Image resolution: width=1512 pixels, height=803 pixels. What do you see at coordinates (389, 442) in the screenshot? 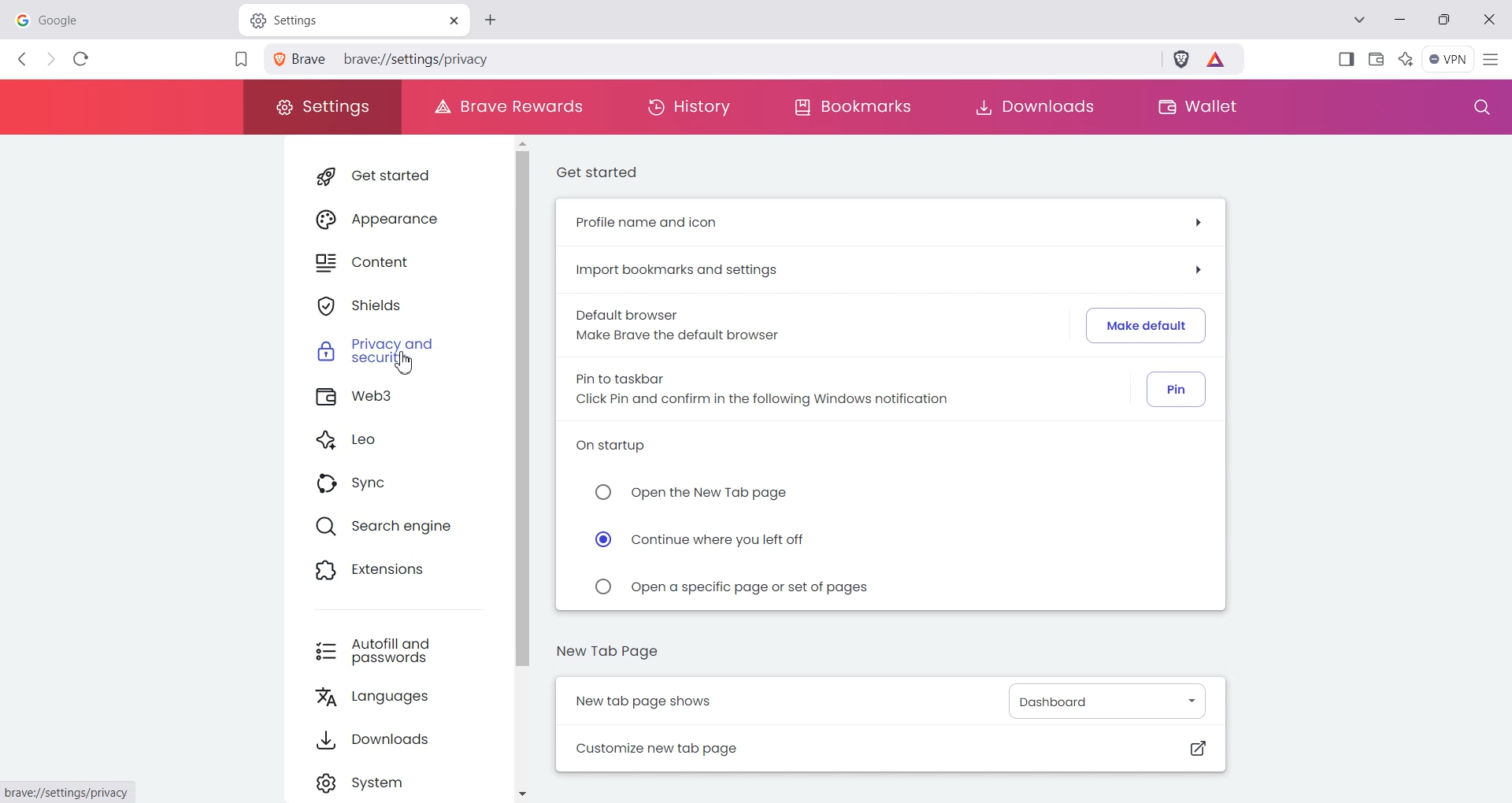
I see `Leo` at bounding box center [389, 442].